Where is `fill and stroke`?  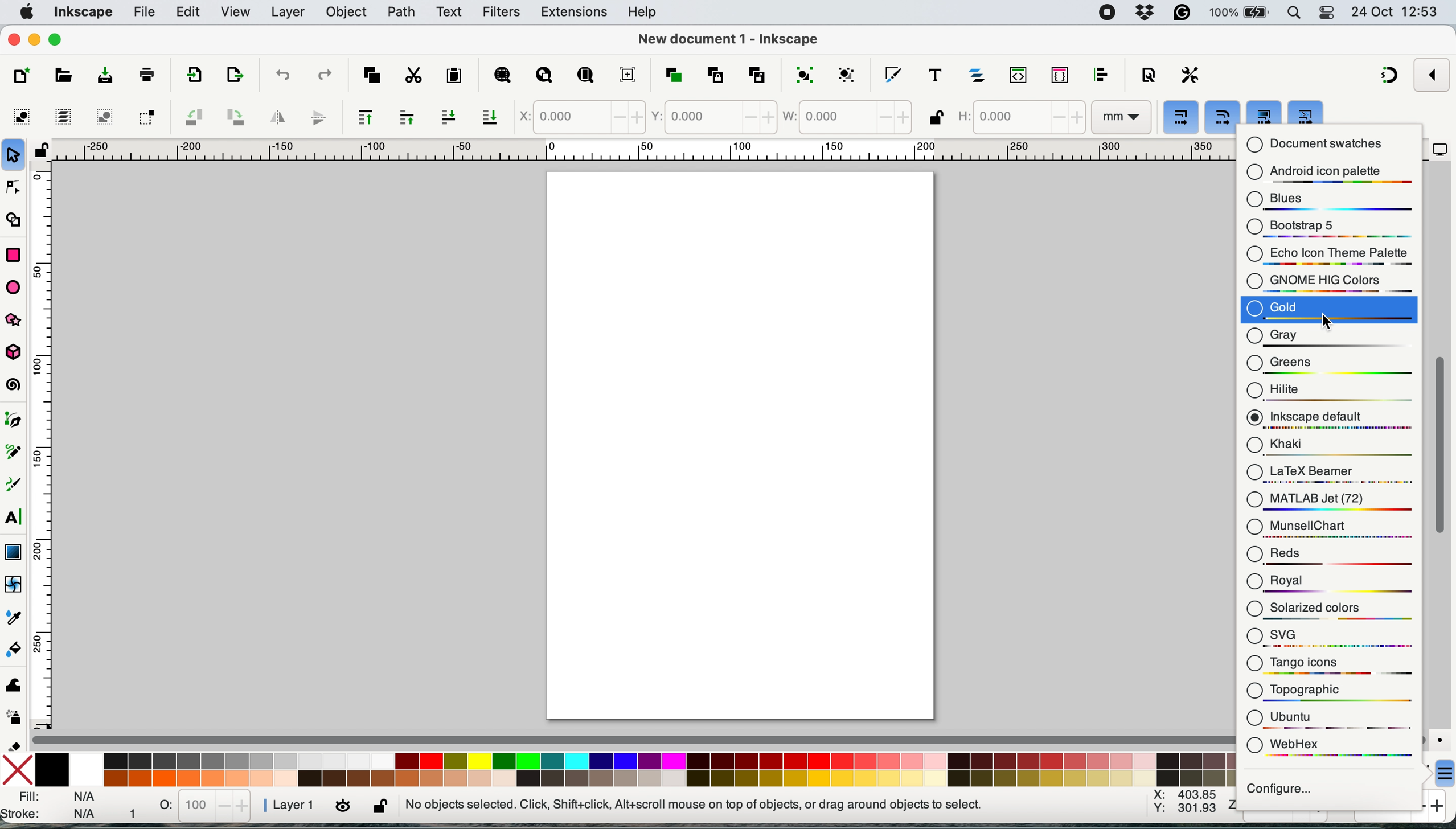
fill and stroke is located at coordinates (891, 74).